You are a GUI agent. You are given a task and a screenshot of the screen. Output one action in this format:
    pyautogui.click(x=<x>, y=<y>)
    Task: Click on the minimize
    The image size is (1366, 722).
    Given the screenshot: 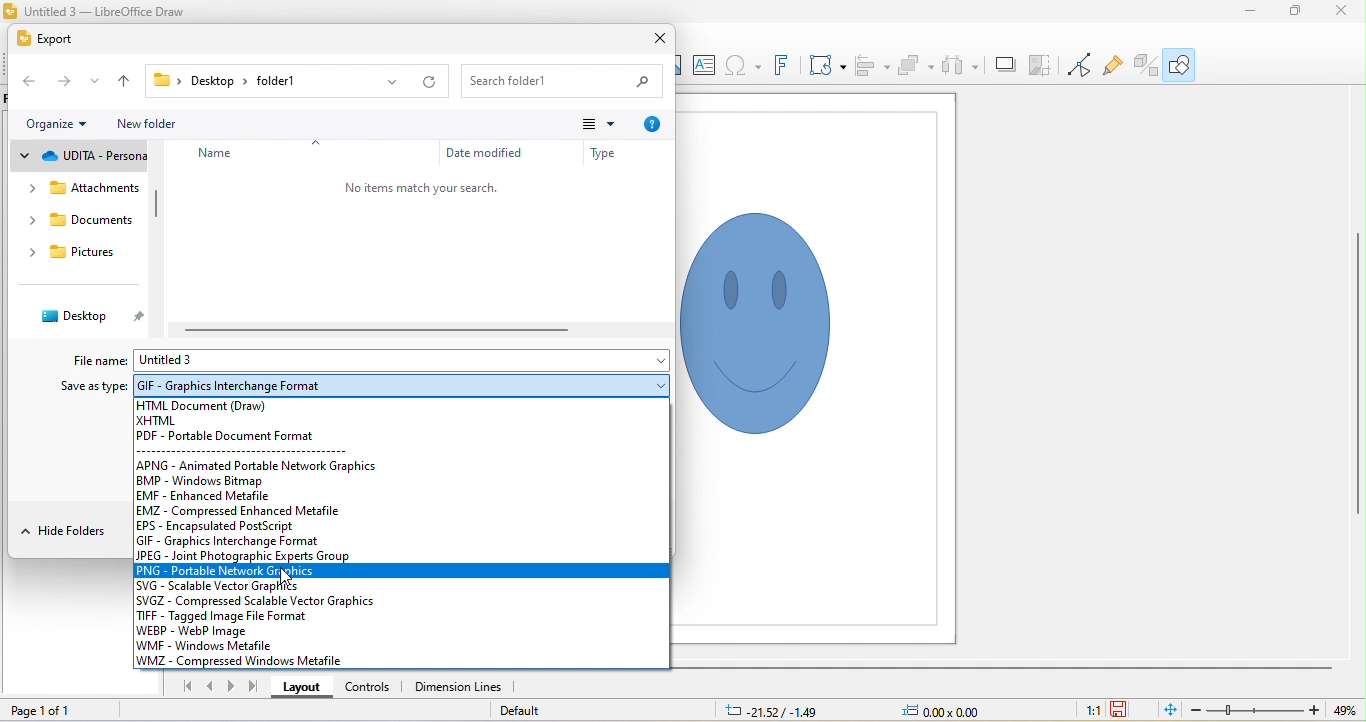 What is the action you would take?
    pyautogui.click(x=1251, y=11)
    